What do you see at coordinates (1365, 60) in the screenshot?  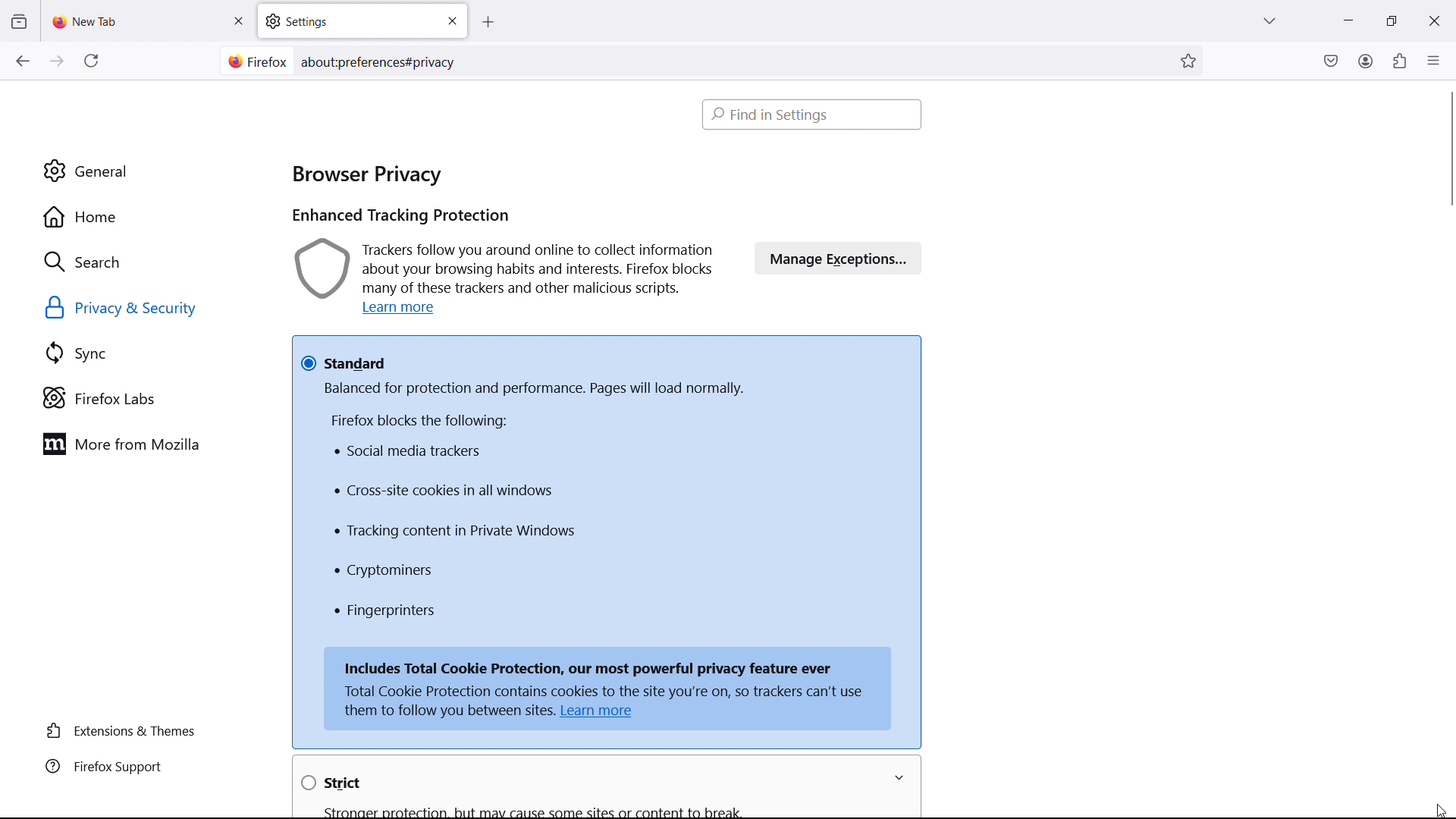 I see `account` at bounding box center [1365, 60].